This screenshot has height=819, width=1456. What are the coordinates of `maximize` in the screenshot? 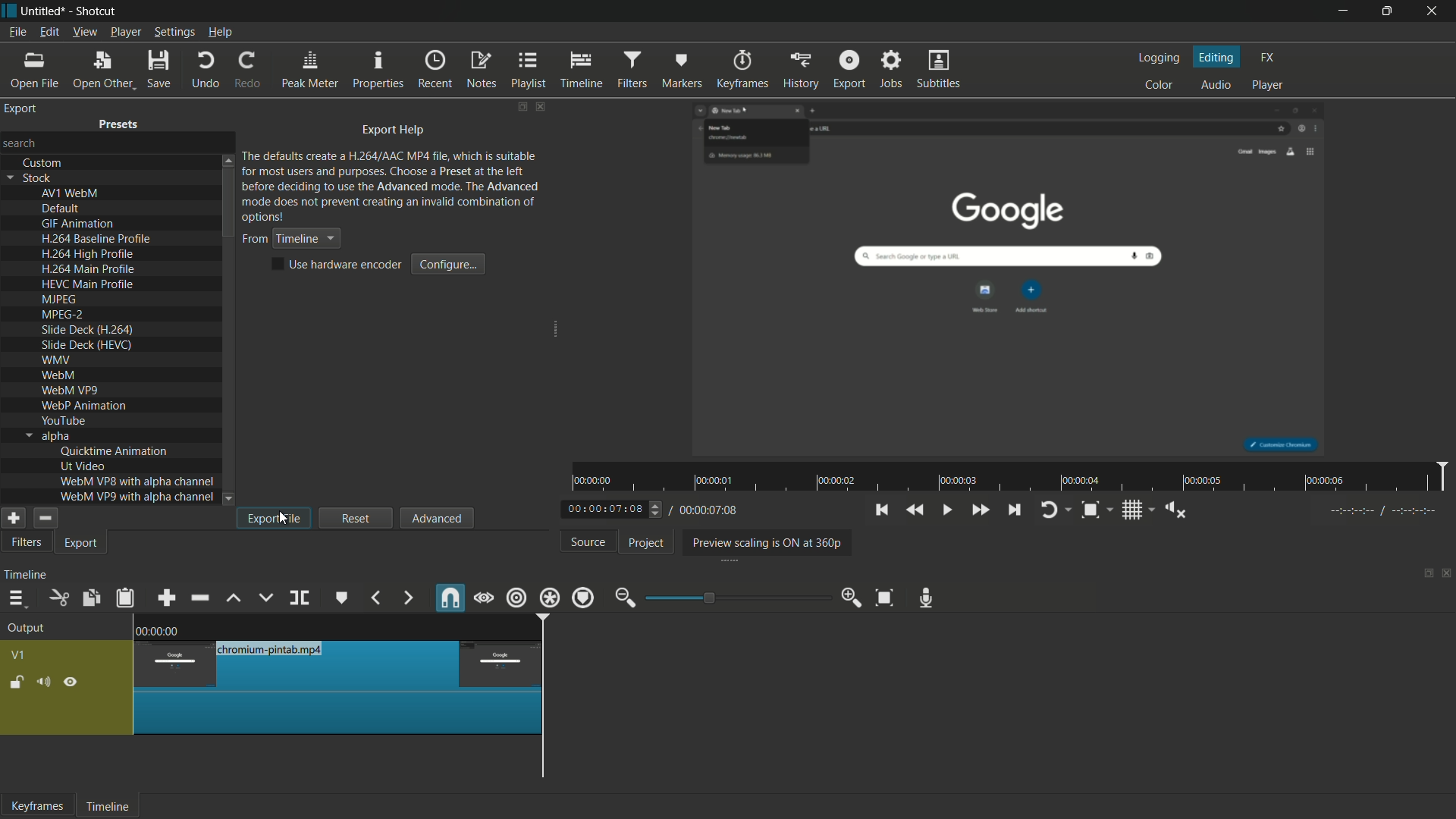 It's located at (1387, 11).